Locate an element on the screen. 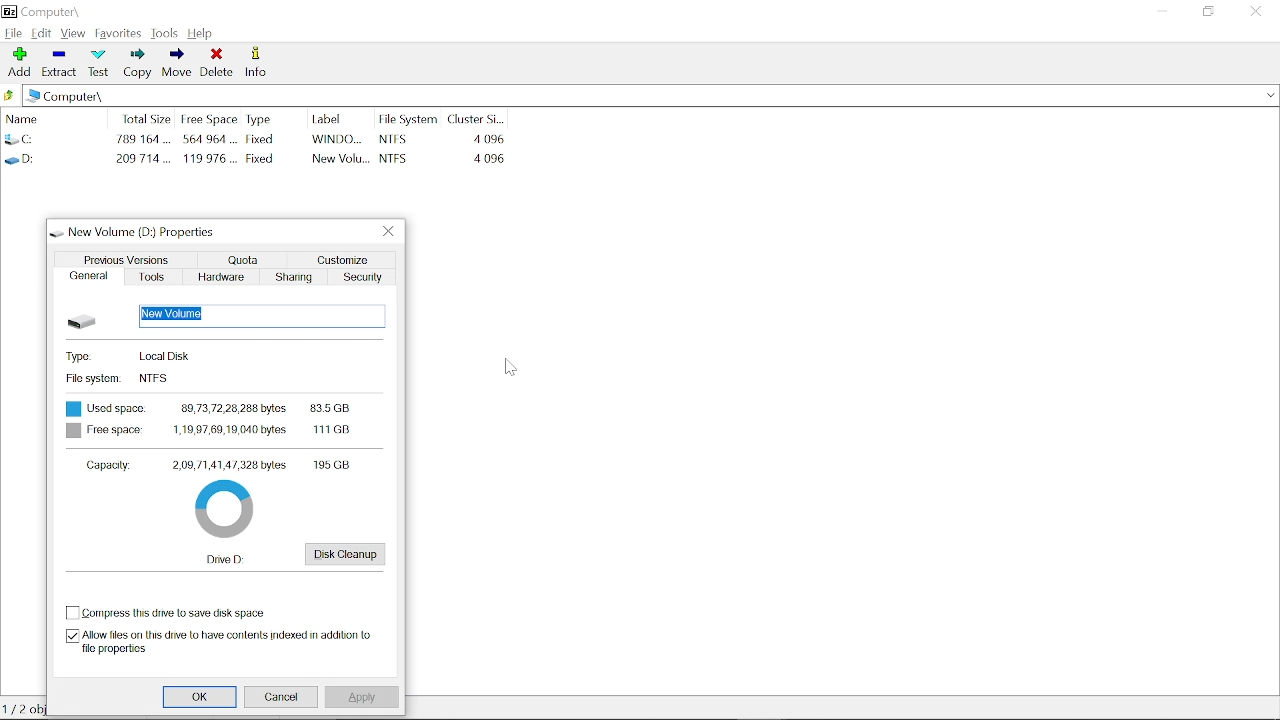 This screenshot has width=1280, height=720. info is located at coordinates (257, 63).